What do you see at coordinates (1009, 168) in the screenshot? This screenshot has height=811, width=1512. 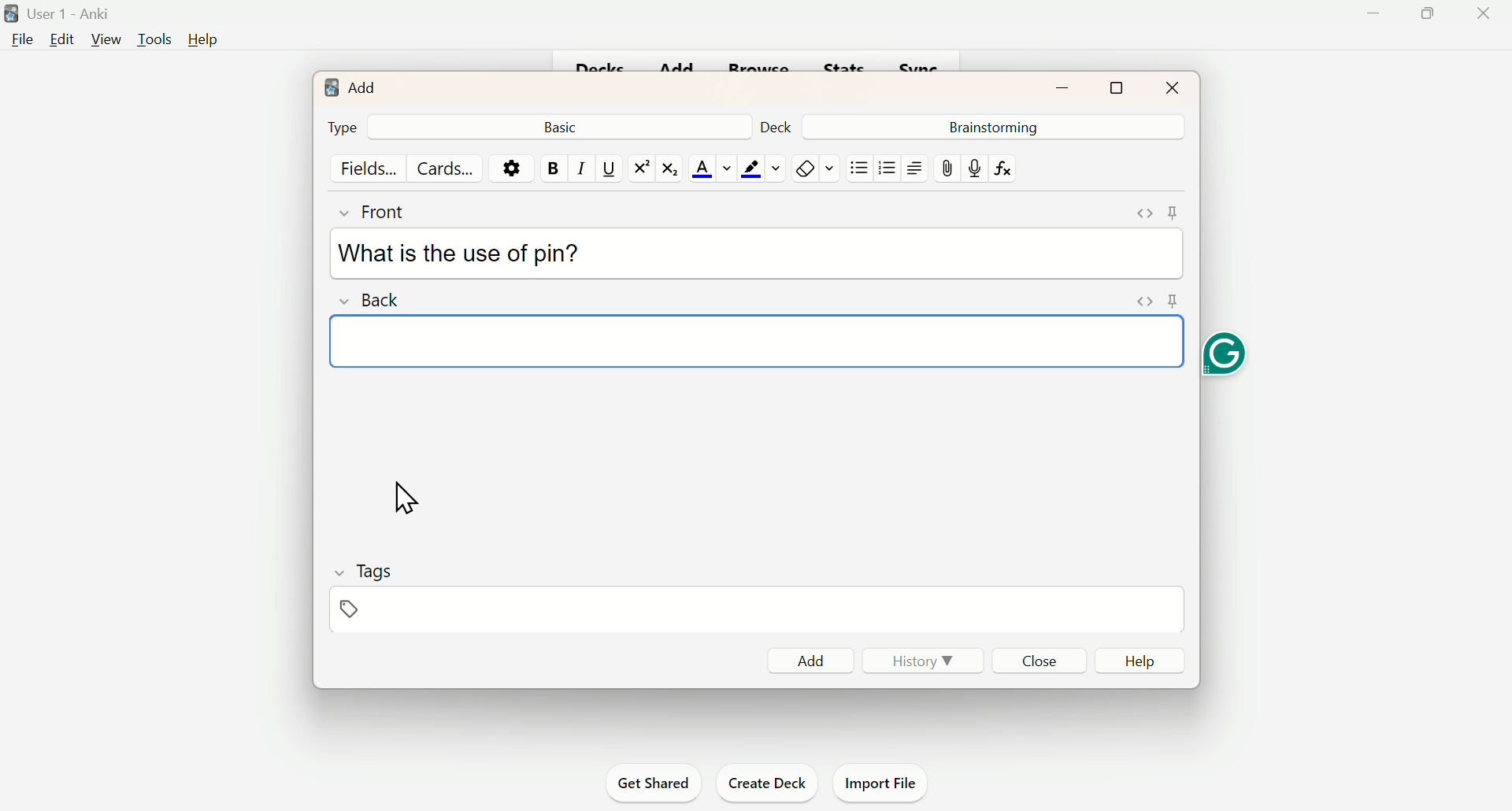 I see `fx` at bounding box center [1009, 168].